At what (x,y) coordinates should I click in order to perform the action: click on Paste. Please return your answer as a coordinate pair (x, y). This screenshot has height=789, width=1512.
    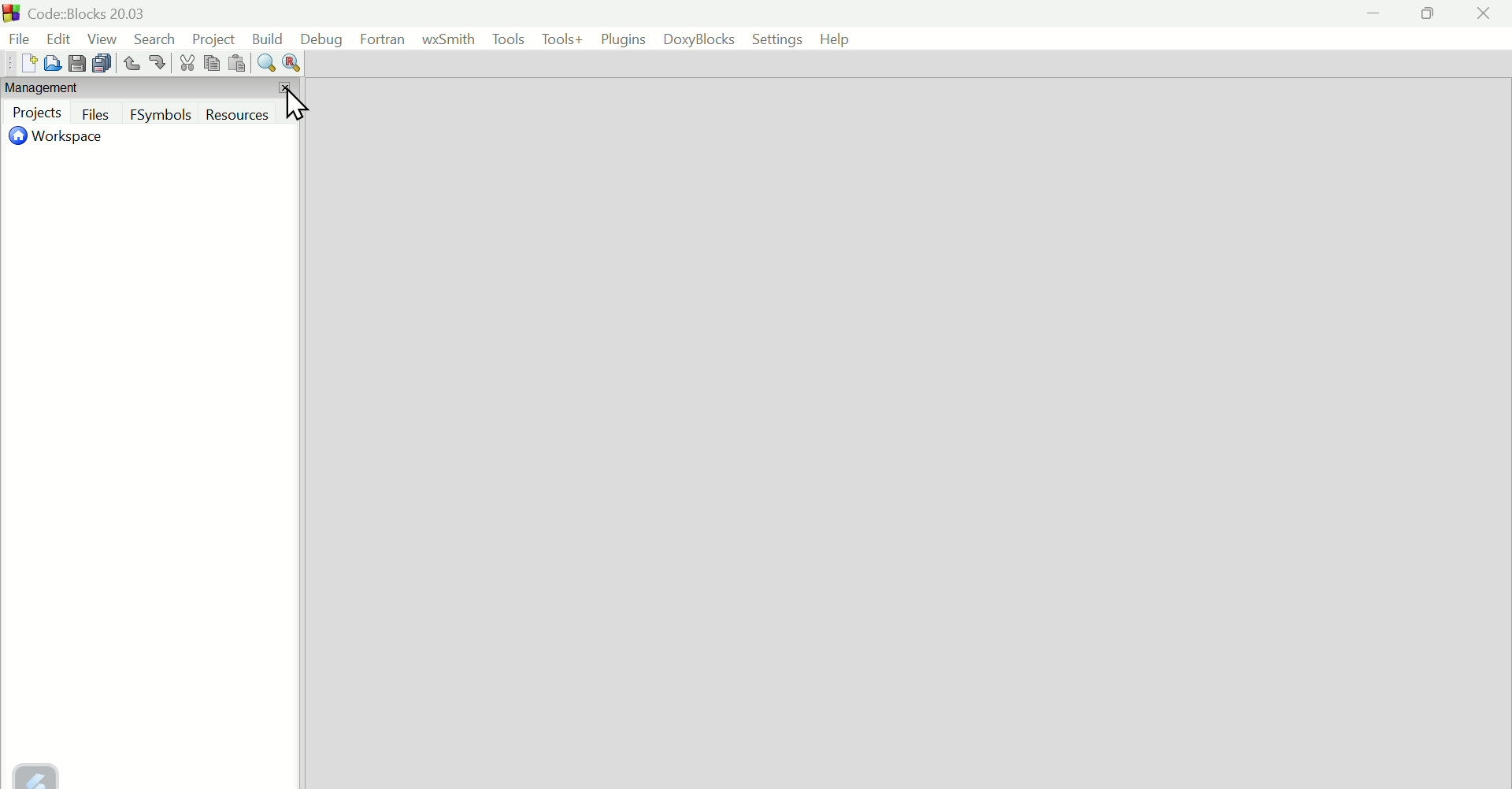
    Looking at the image, I should click on (239, 63).